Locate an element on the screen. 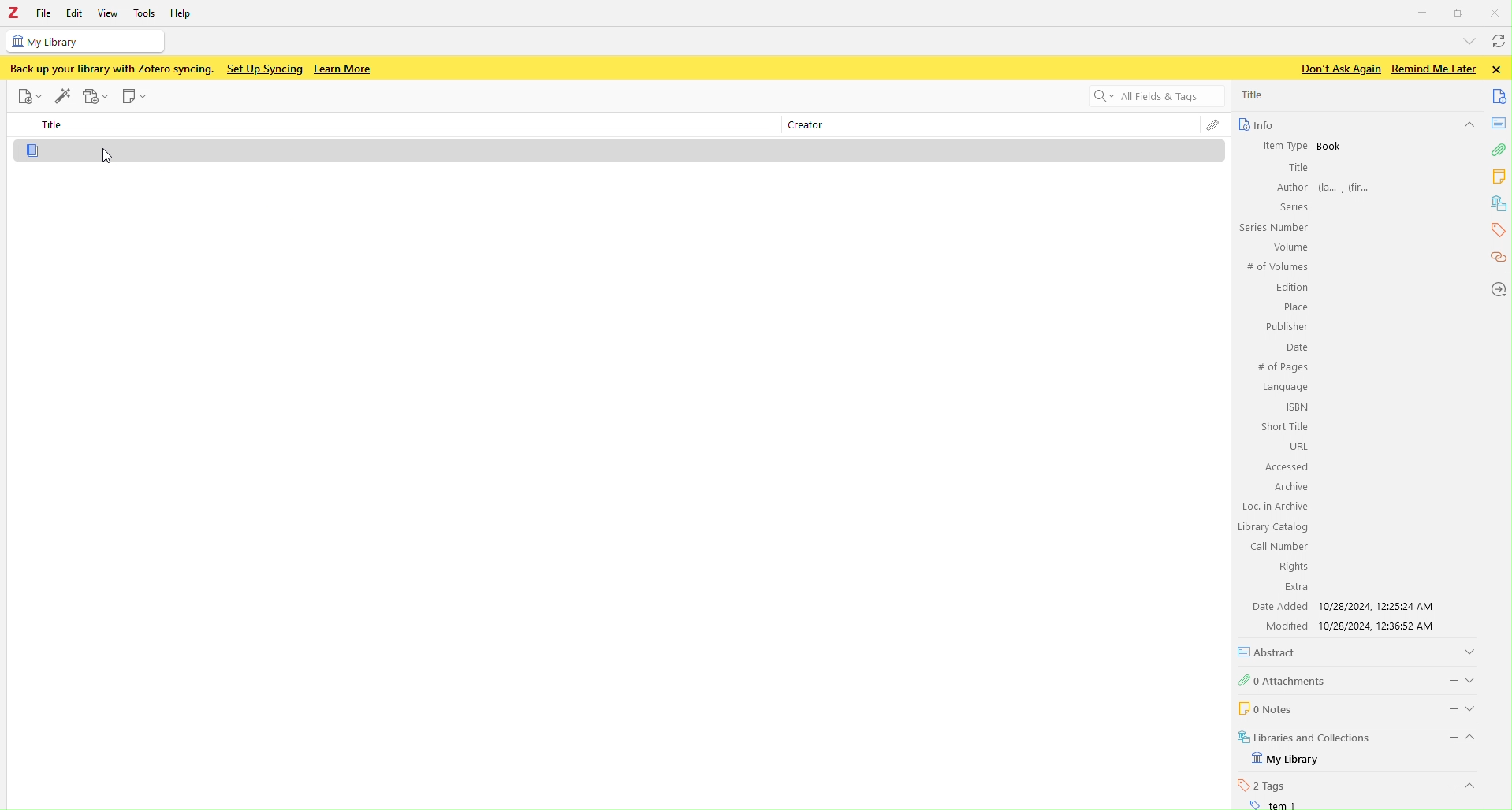 Image resolution: width=1512 pixels, height=810 pixels. record is located at coordinates (96, 96).